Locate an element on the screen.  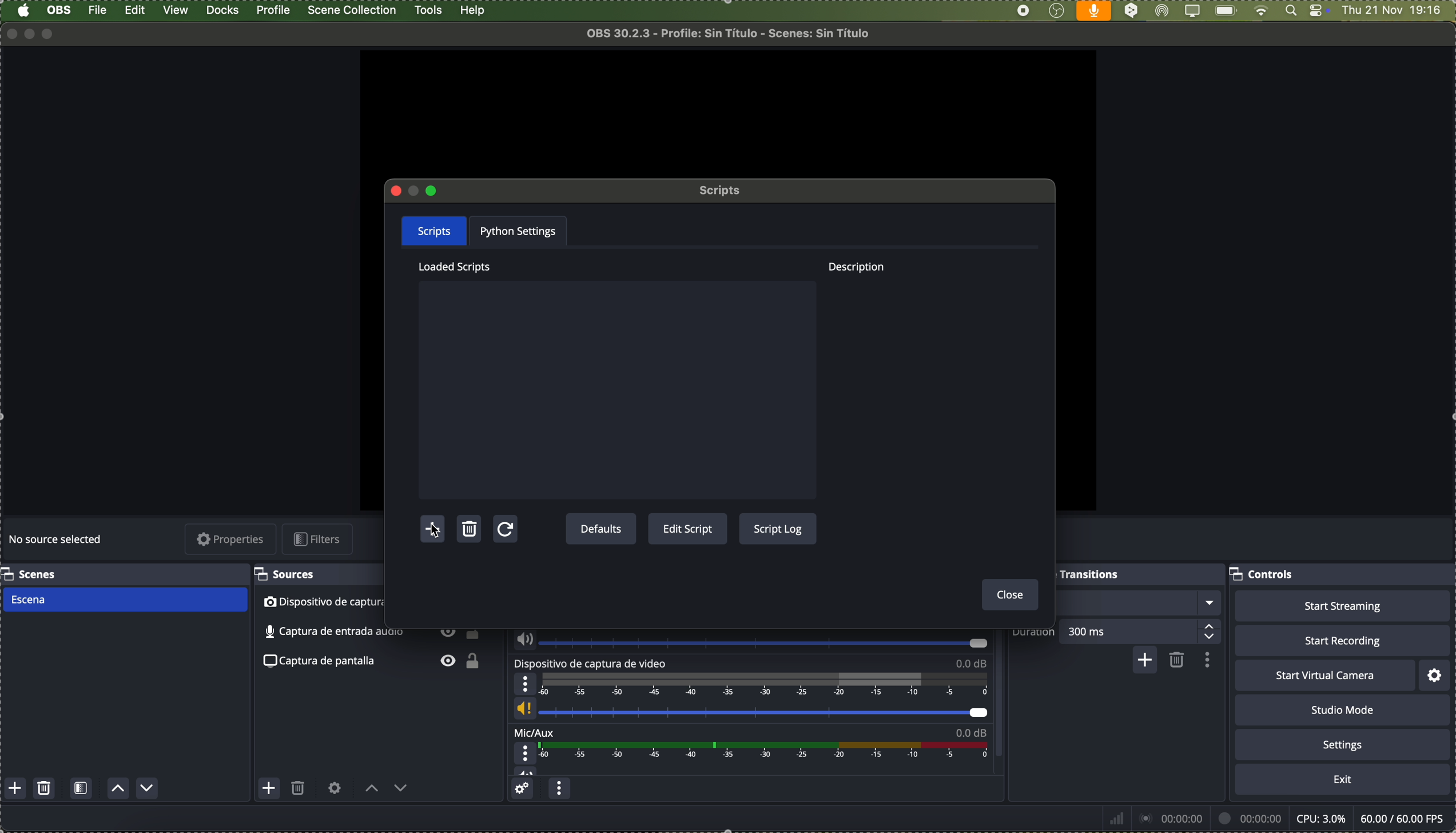
add scene is located at coordinates (15, 789).